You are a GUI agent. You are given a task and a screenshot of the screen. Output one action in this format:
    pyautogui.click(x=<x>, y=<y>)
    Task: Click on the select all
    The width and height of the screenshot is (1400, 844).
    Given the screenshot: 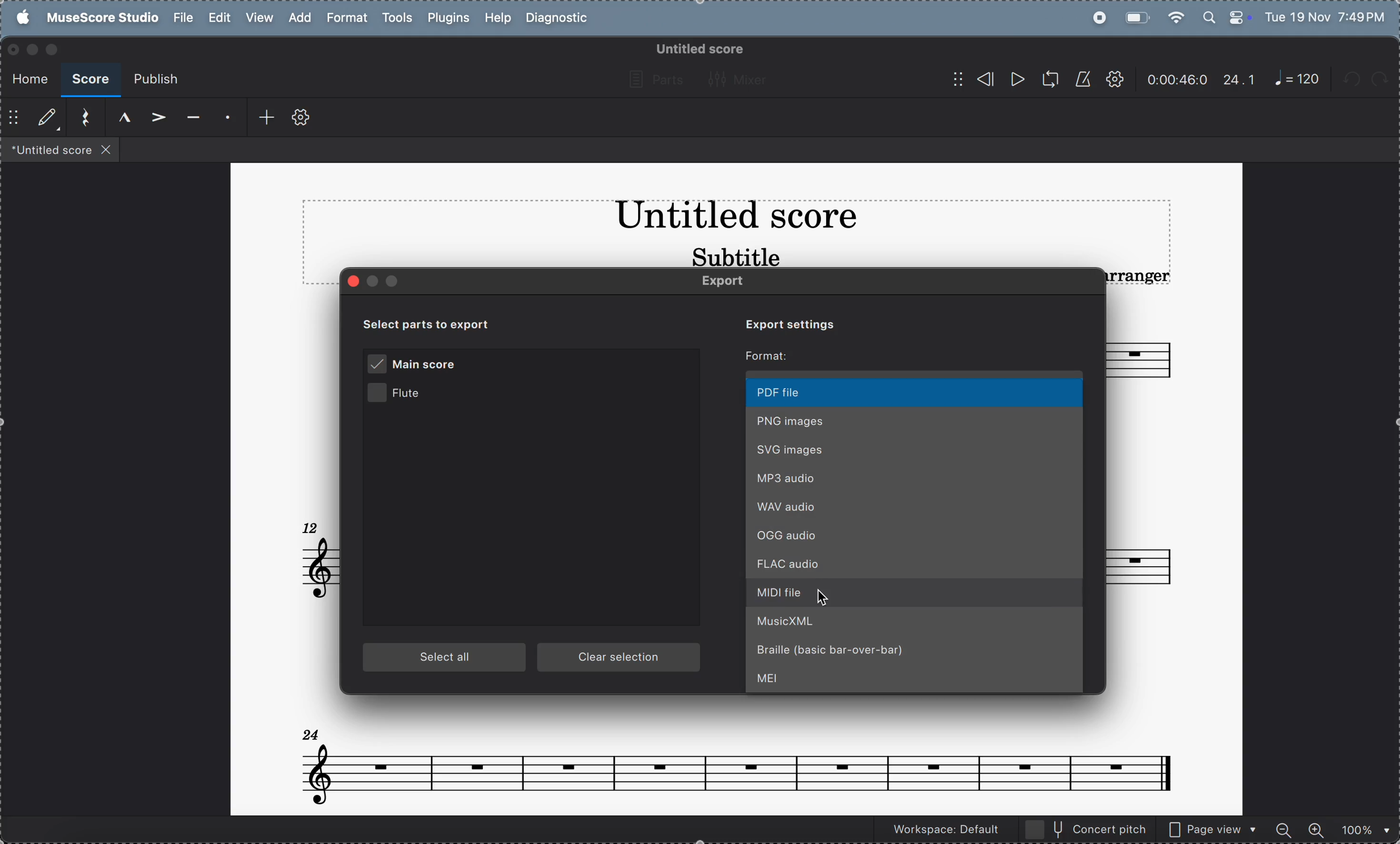 What is the action you would take?
    pyautogui.click(x=445, y=658)
    